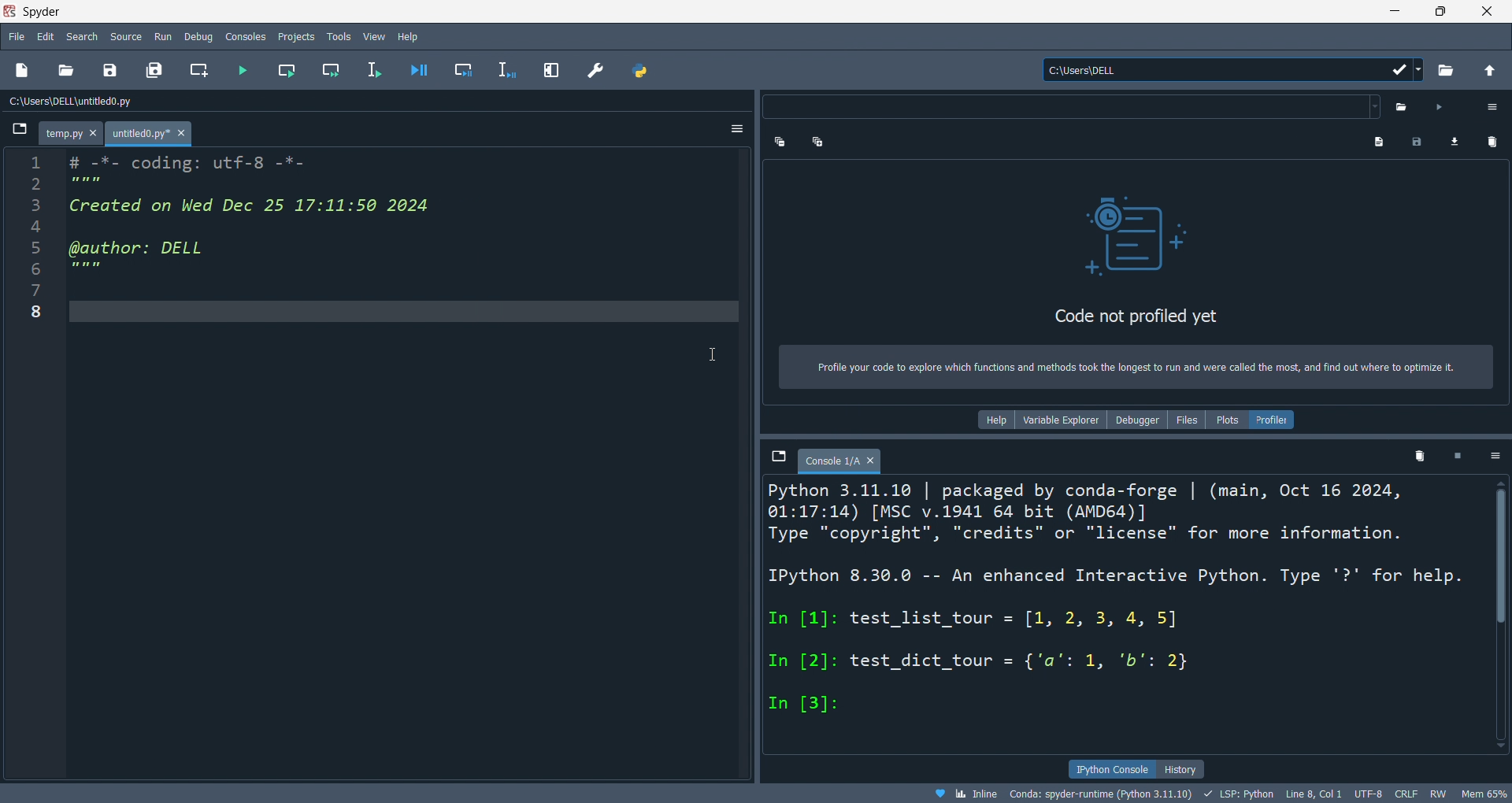 Image resolution: width=1512 pixels, height=803 pixels. I want to click on history, so click(1184, 768).